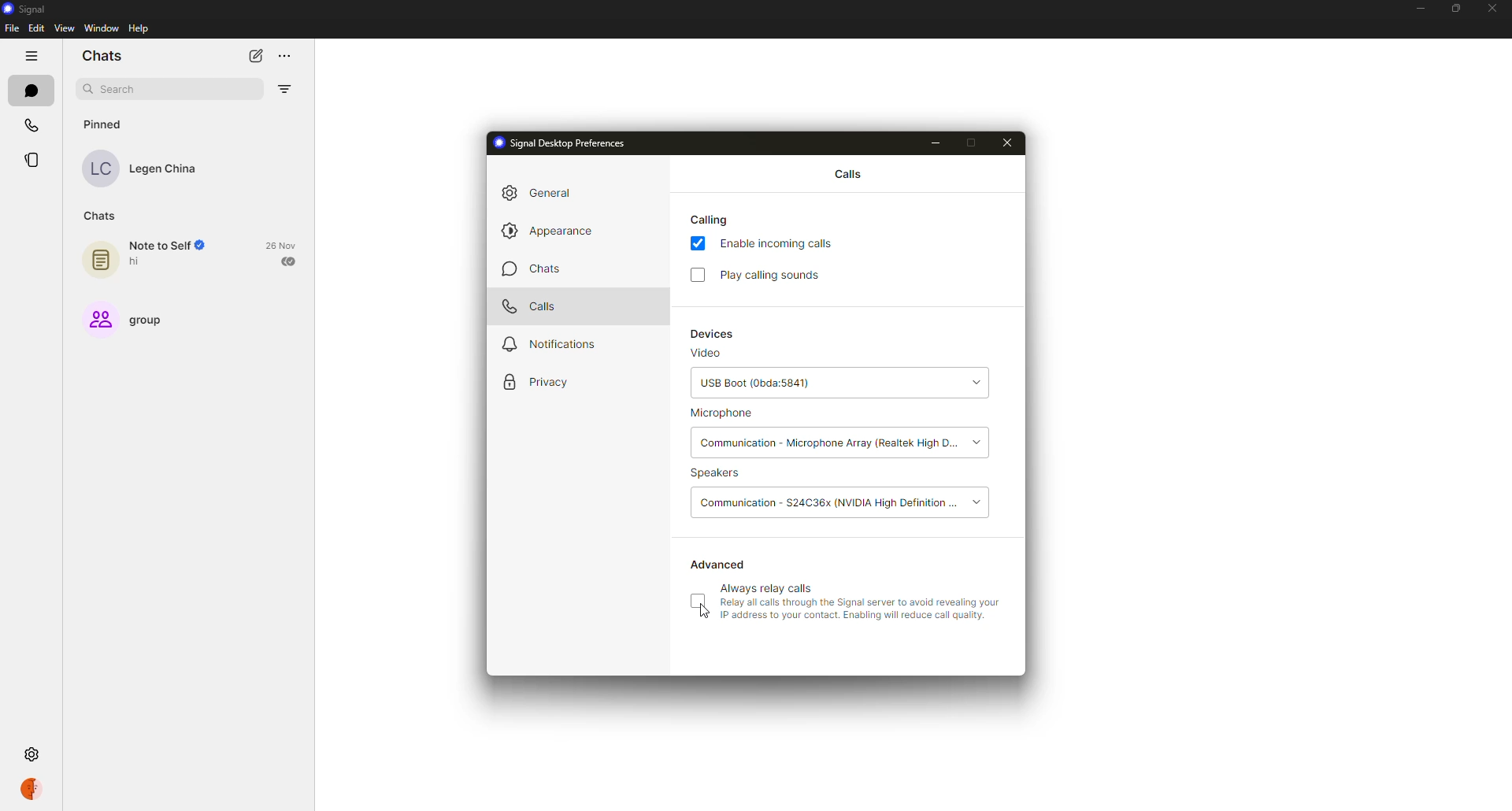  I want to click on click to enable, so click(697, 274).